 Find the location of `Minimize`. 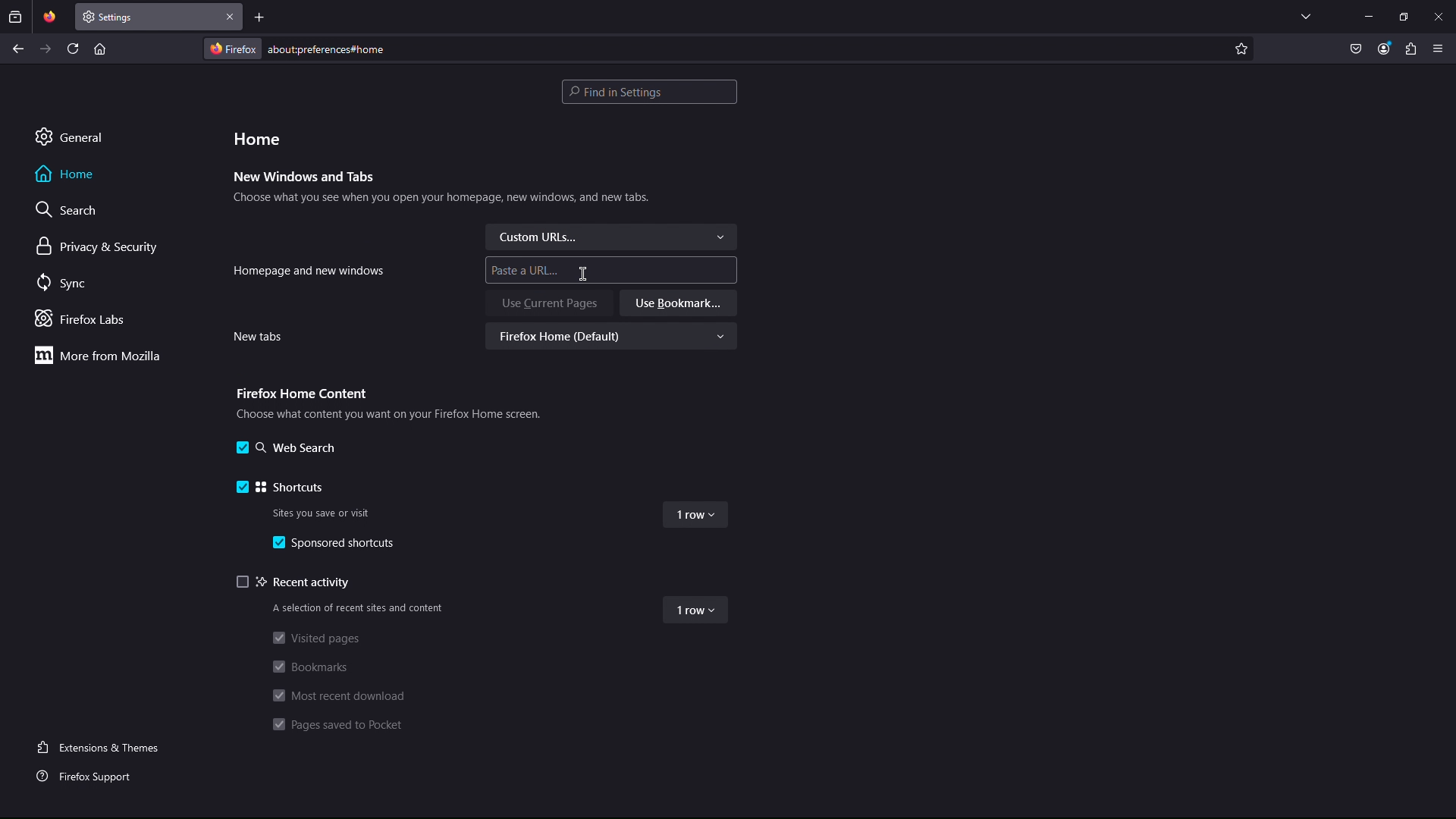

Minimize is located at coordinates (1368, 16).